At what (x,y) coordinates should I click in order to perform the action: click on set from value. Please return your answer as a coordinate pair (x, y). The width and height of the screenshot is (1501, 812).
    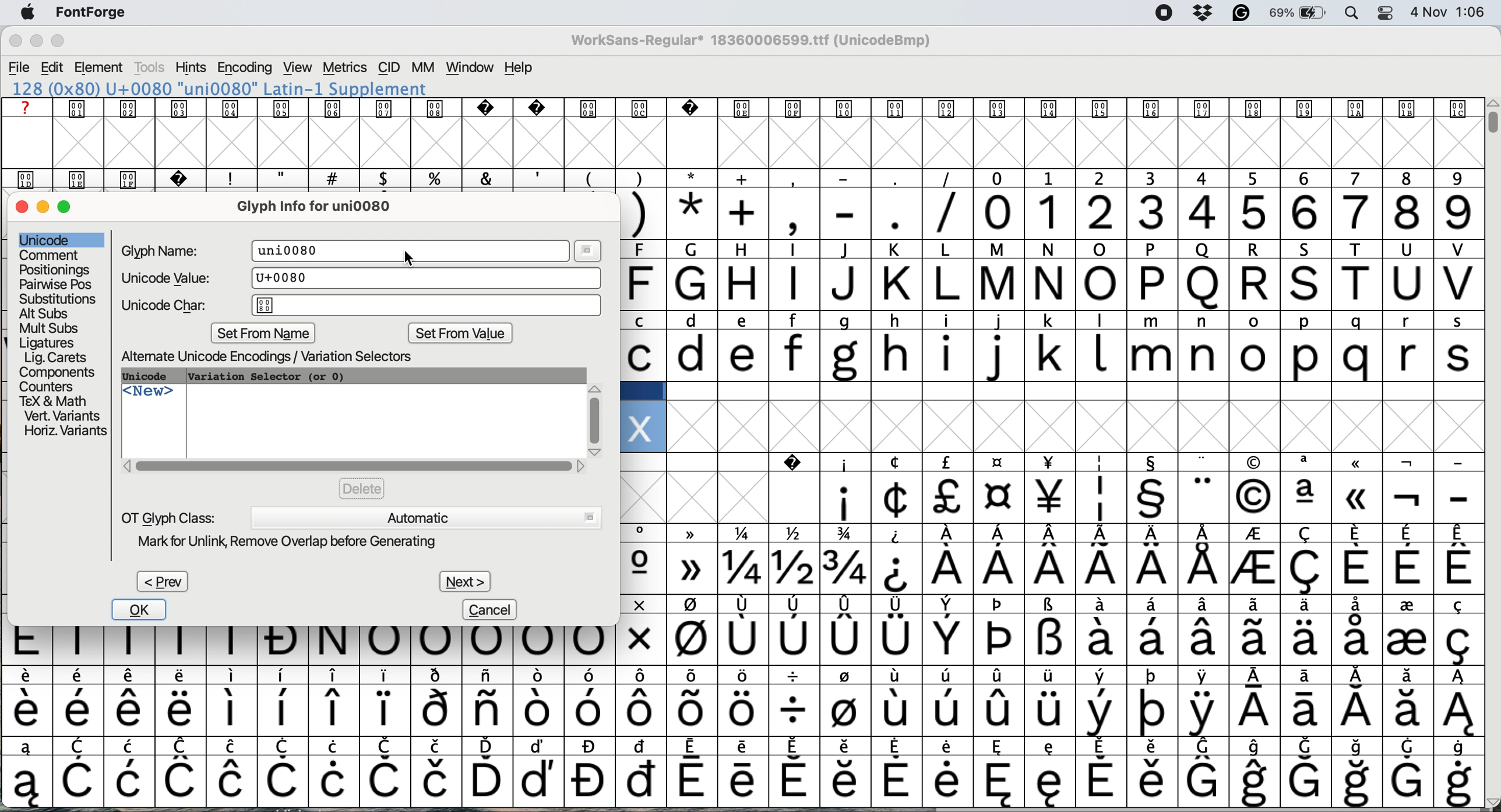
    Looking at the image, I should click on (460, 335).